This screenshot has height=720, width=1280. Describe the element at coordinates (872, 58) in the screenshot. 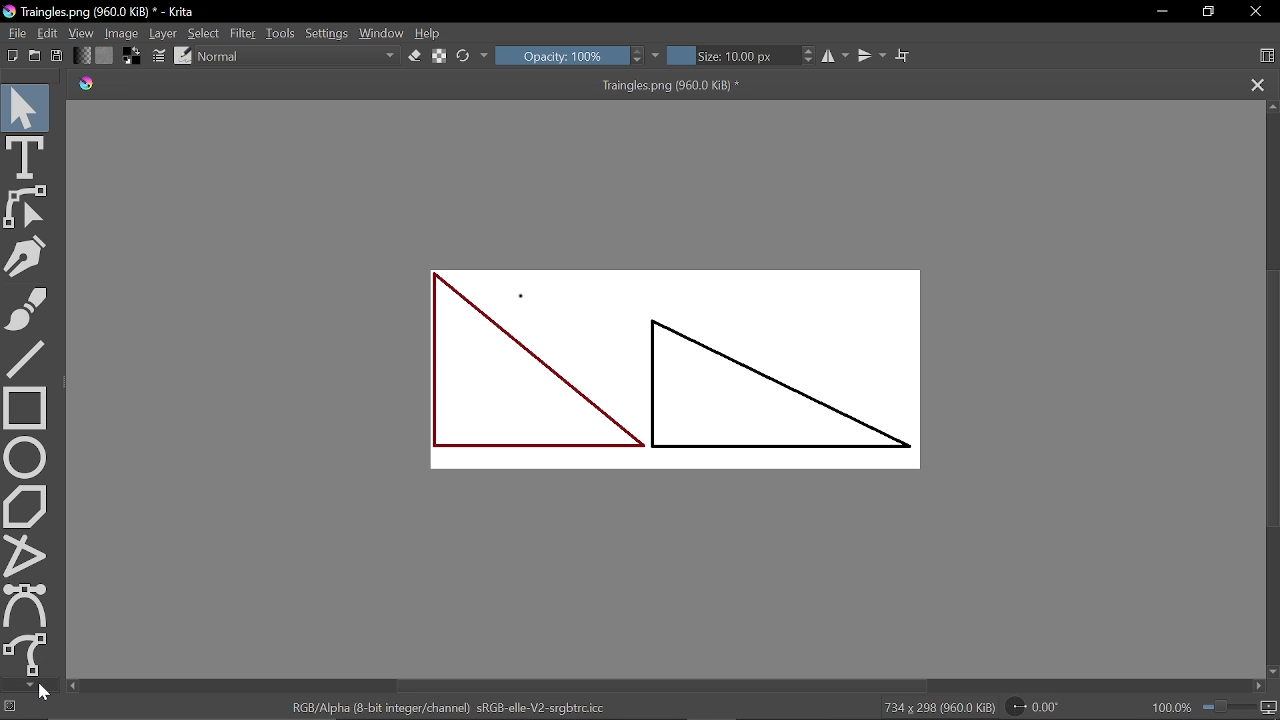

I see `Vertical mirror` at that location.